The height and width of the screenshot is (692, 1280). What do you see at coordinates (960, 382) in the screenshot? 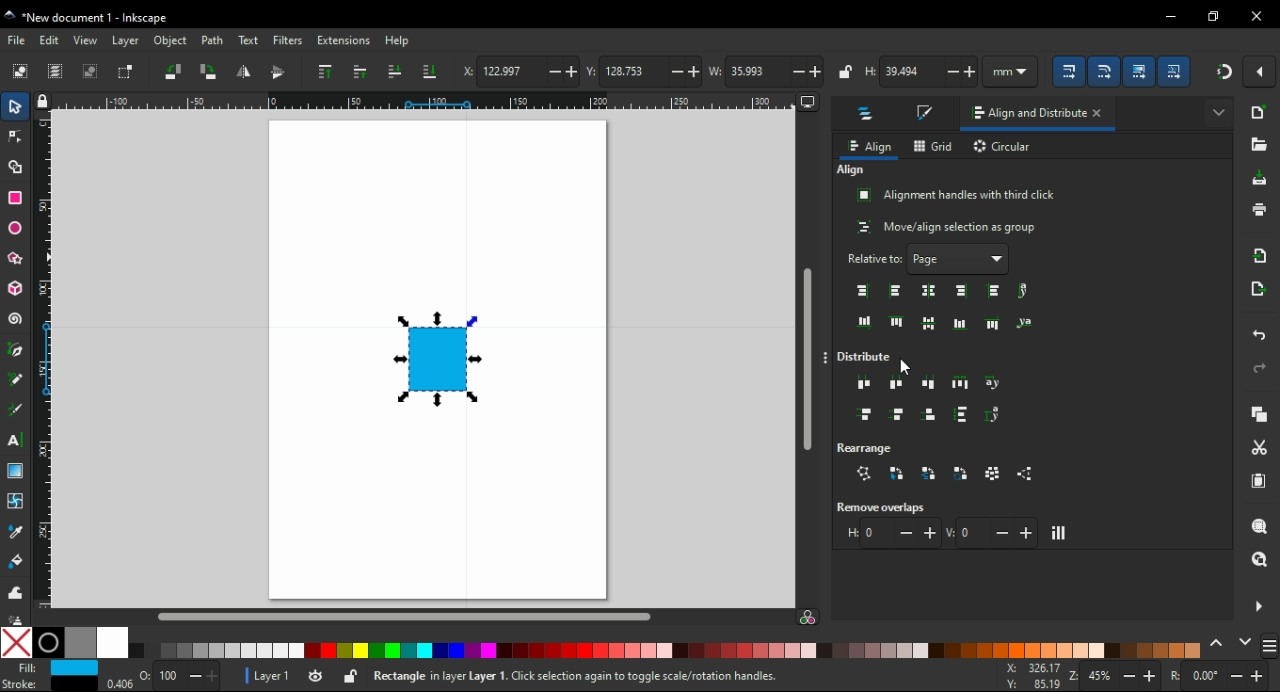
I see `distribute horizontally with even horizontal gaps` at bounding box center [960, 382].